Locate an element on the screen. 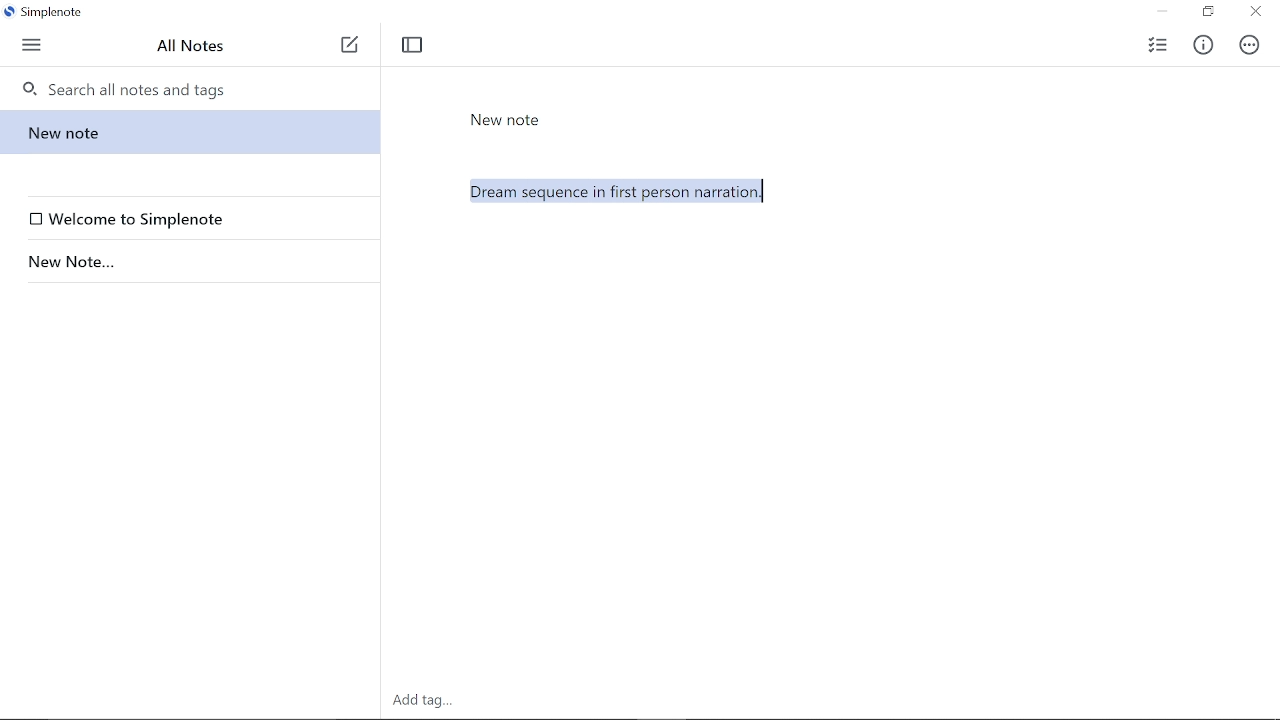  Info is located at coordinates (1208, 42).